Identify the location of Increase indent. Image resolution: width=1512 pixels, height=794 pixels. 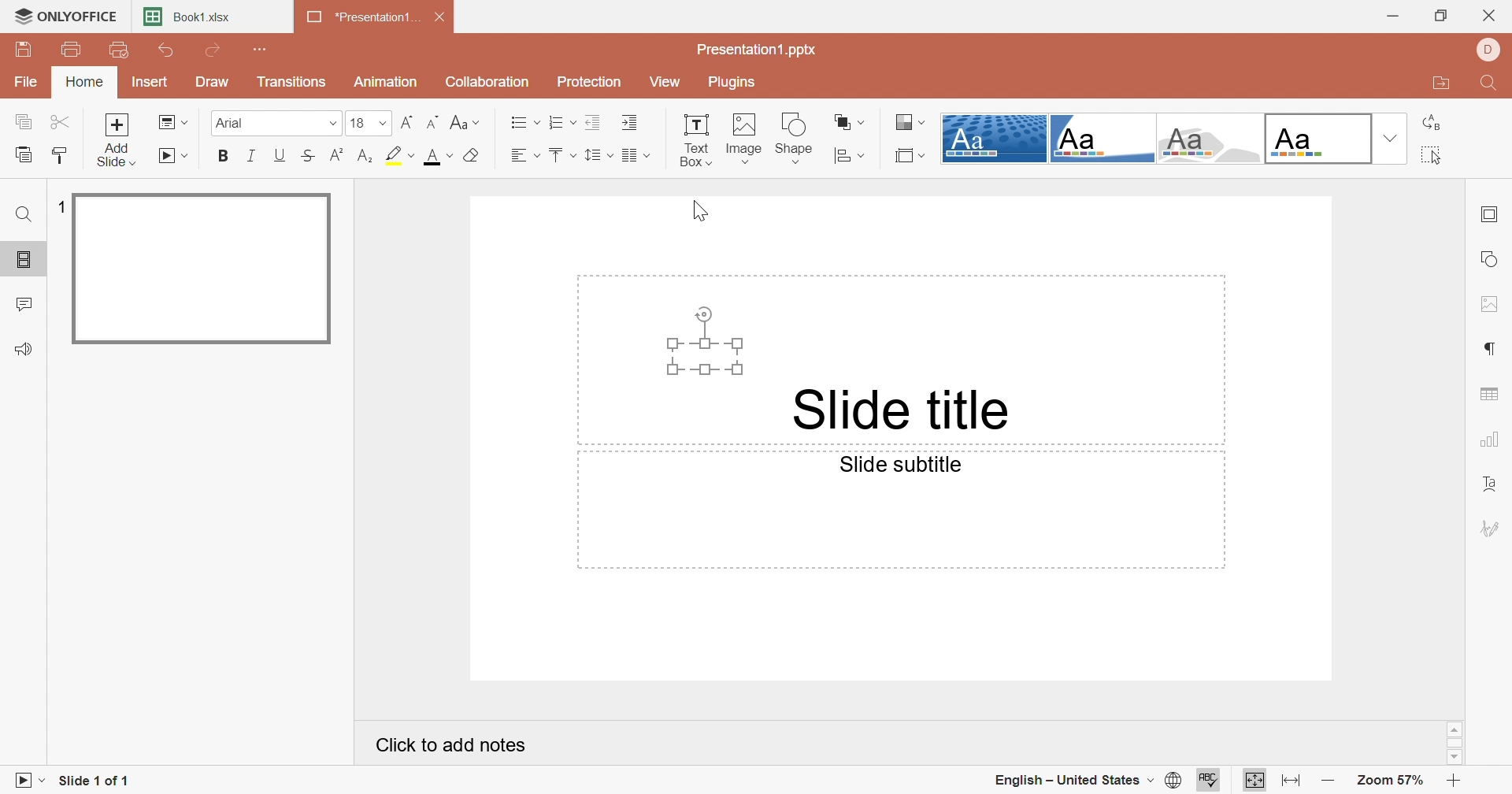
(631, 124).